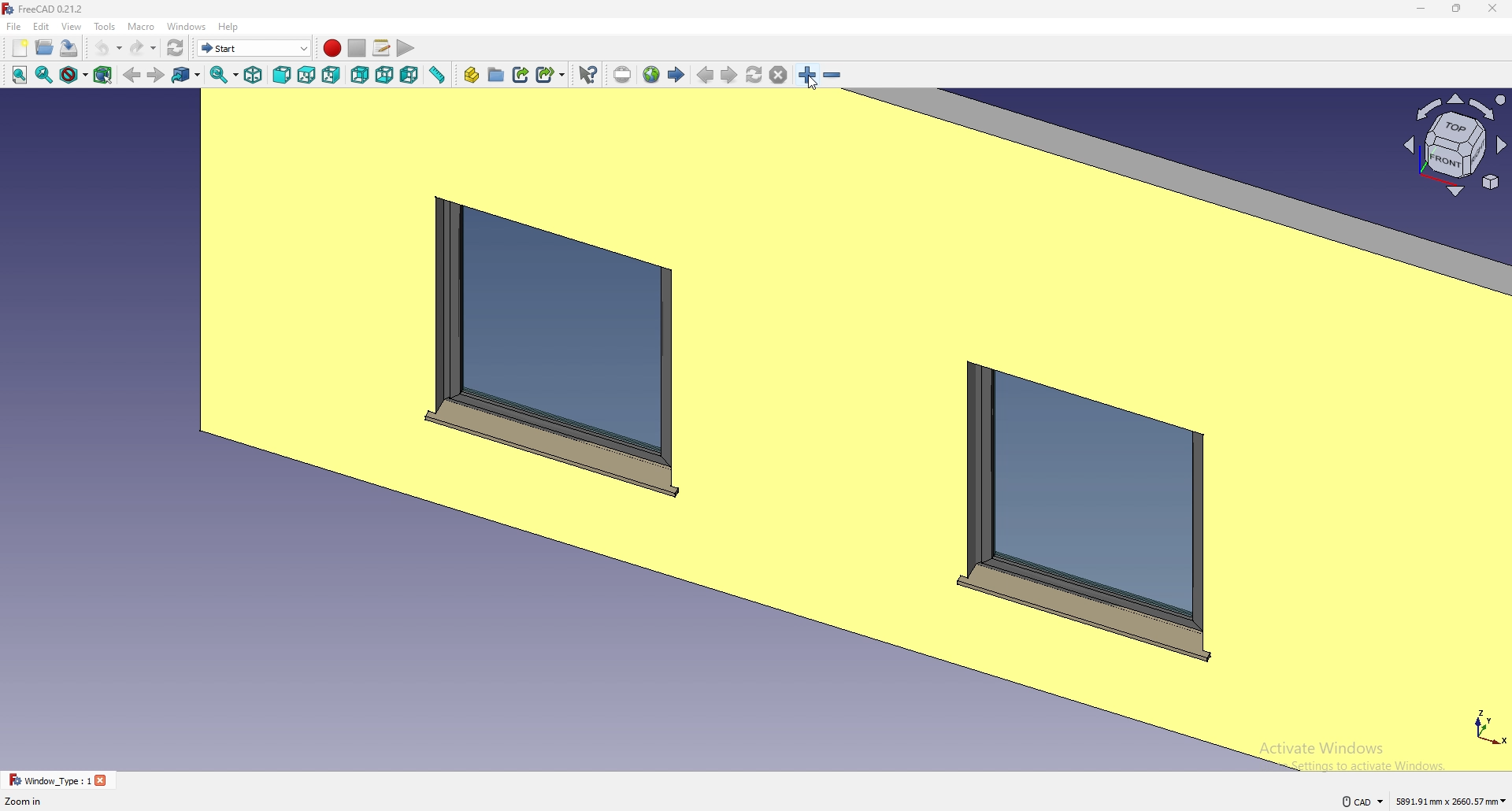 The image size is (1512, 811). I want to click on make sub link, so click(551, 75).